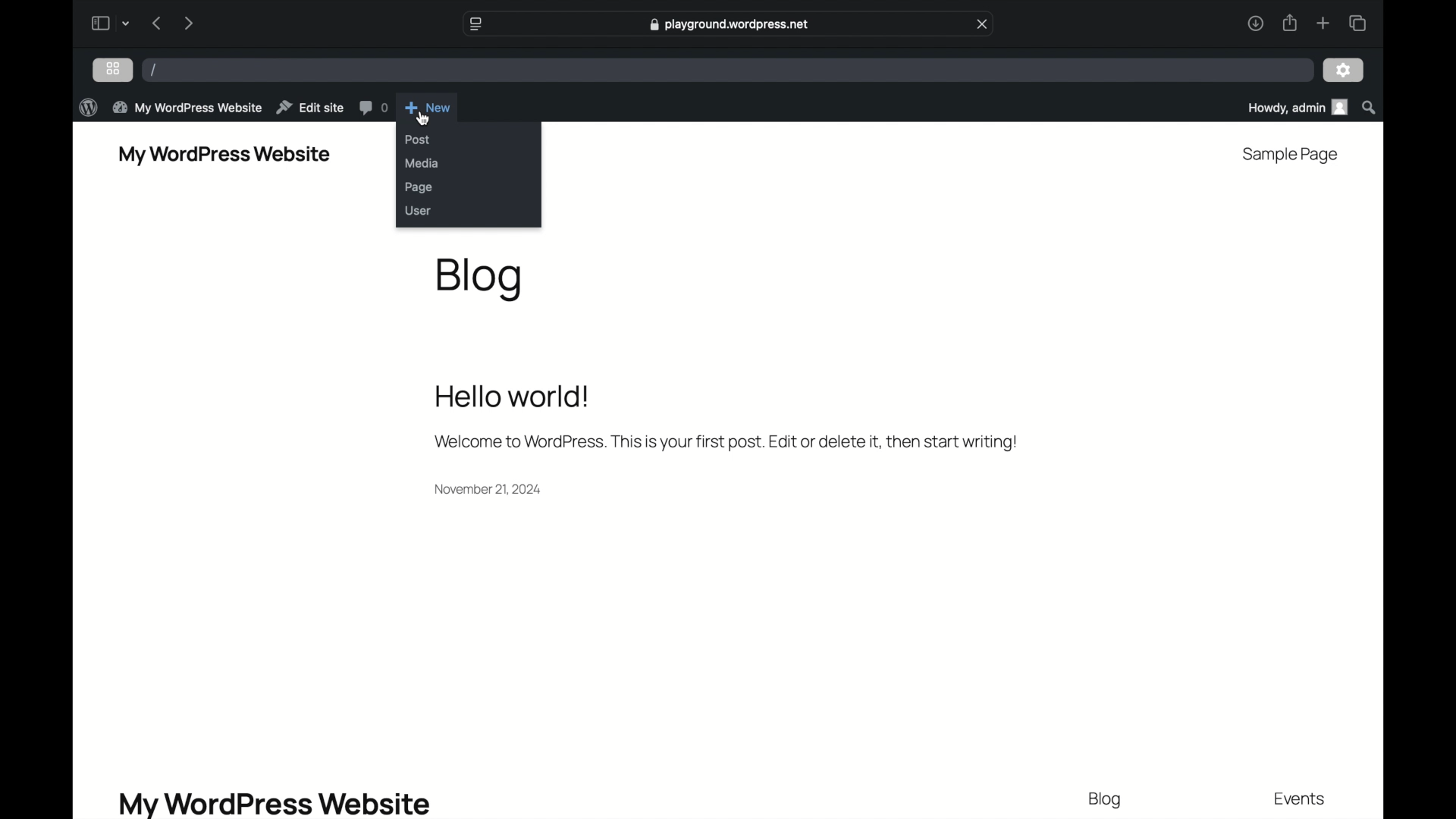 Image resolution: width=1456 pixels, height=819 pixels. I want to click on next page, so click(190, 22).